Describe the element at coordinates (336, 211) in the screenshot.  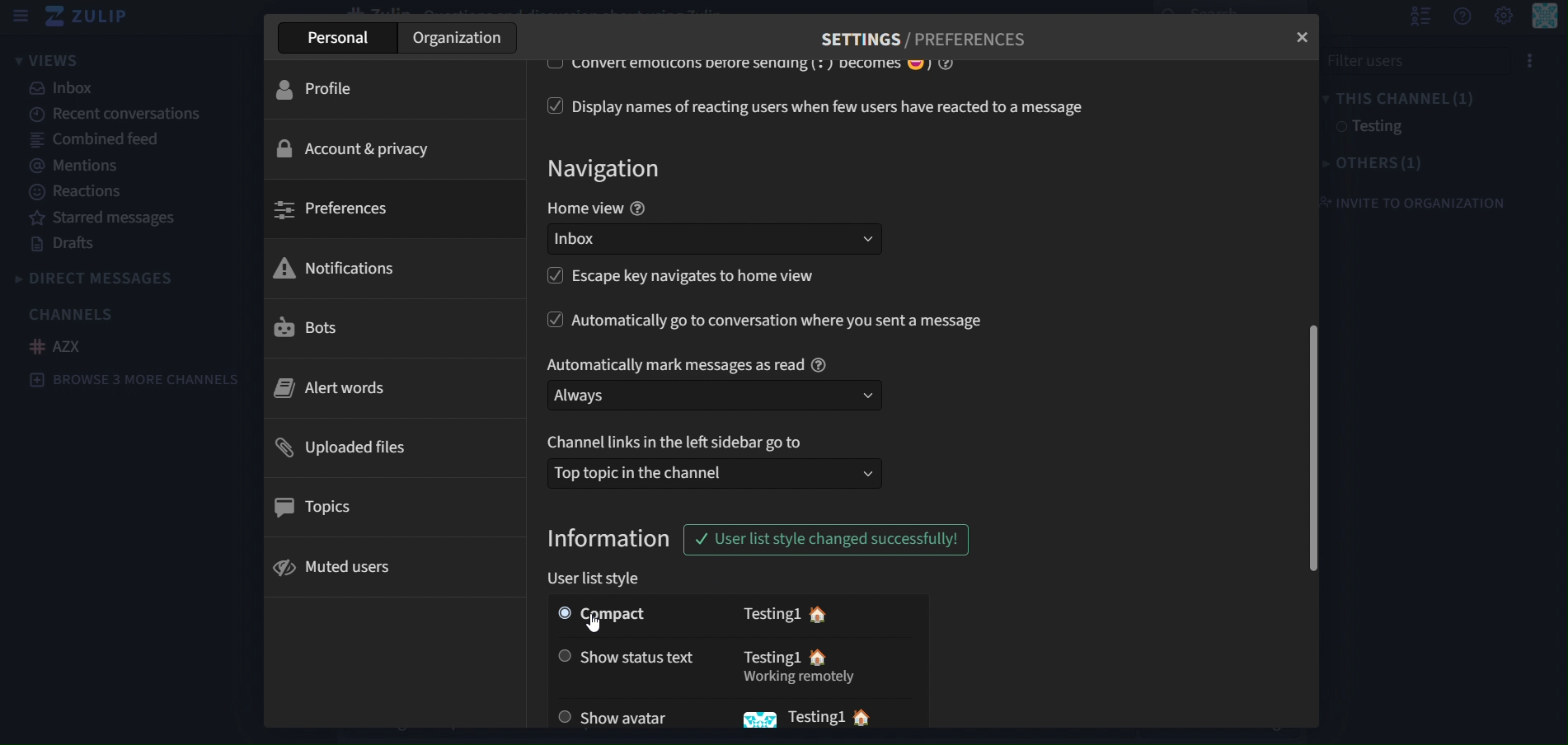
I see `preferences` at that location.